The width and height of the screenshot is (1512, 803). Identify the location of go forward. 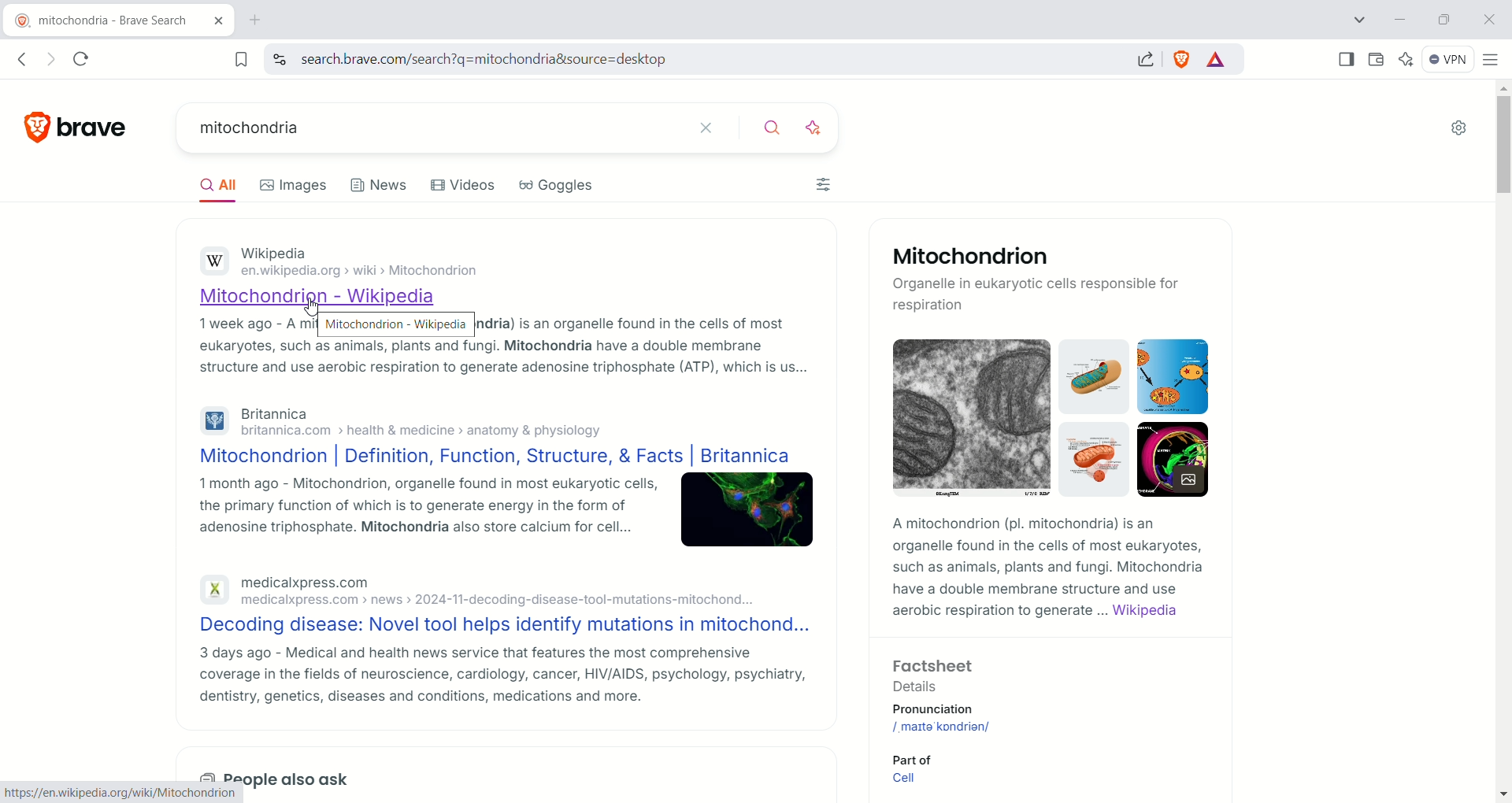
(51, 57).